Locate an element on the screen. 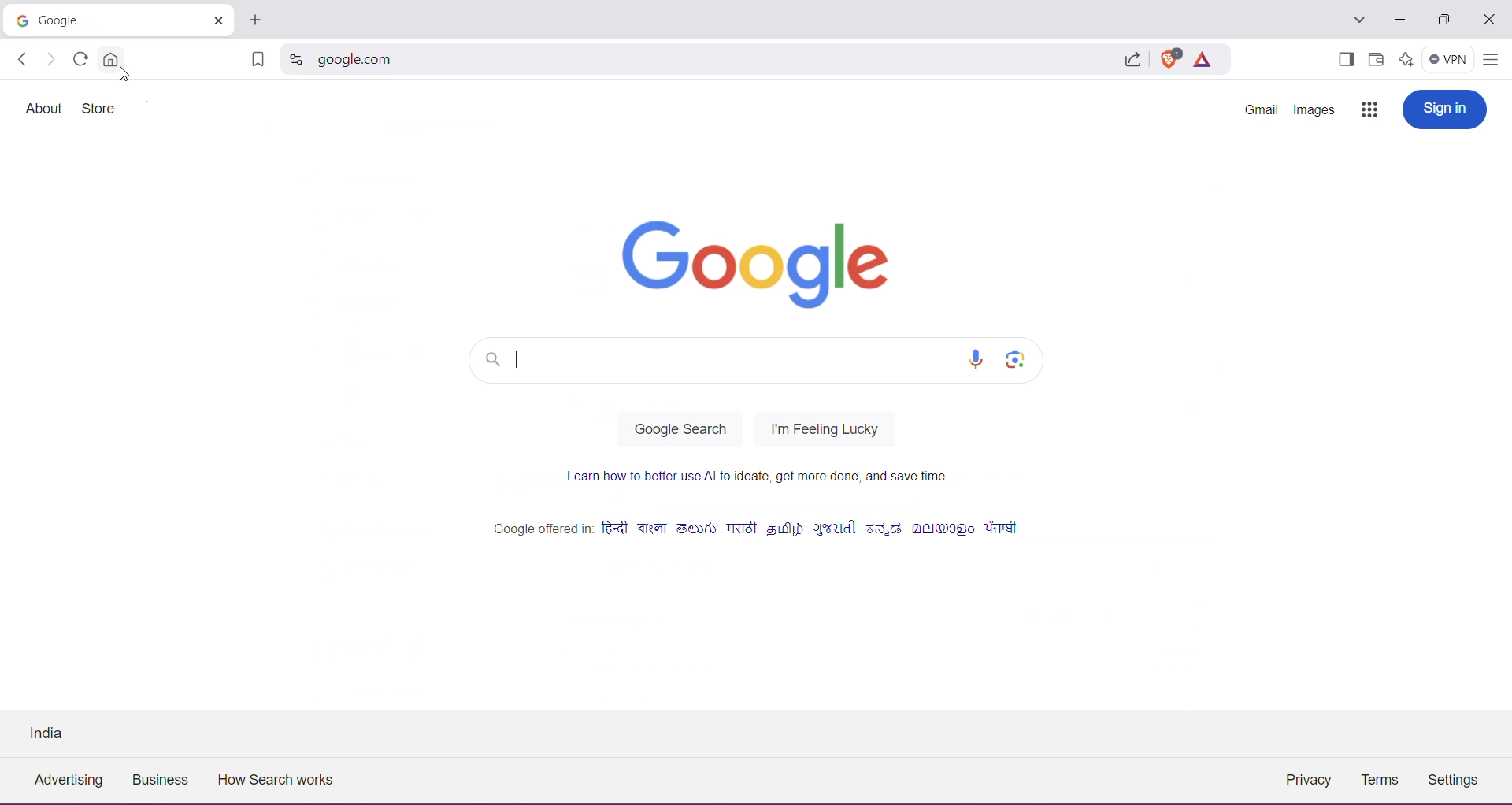  Close Tab is located at coordinates (215, 20).